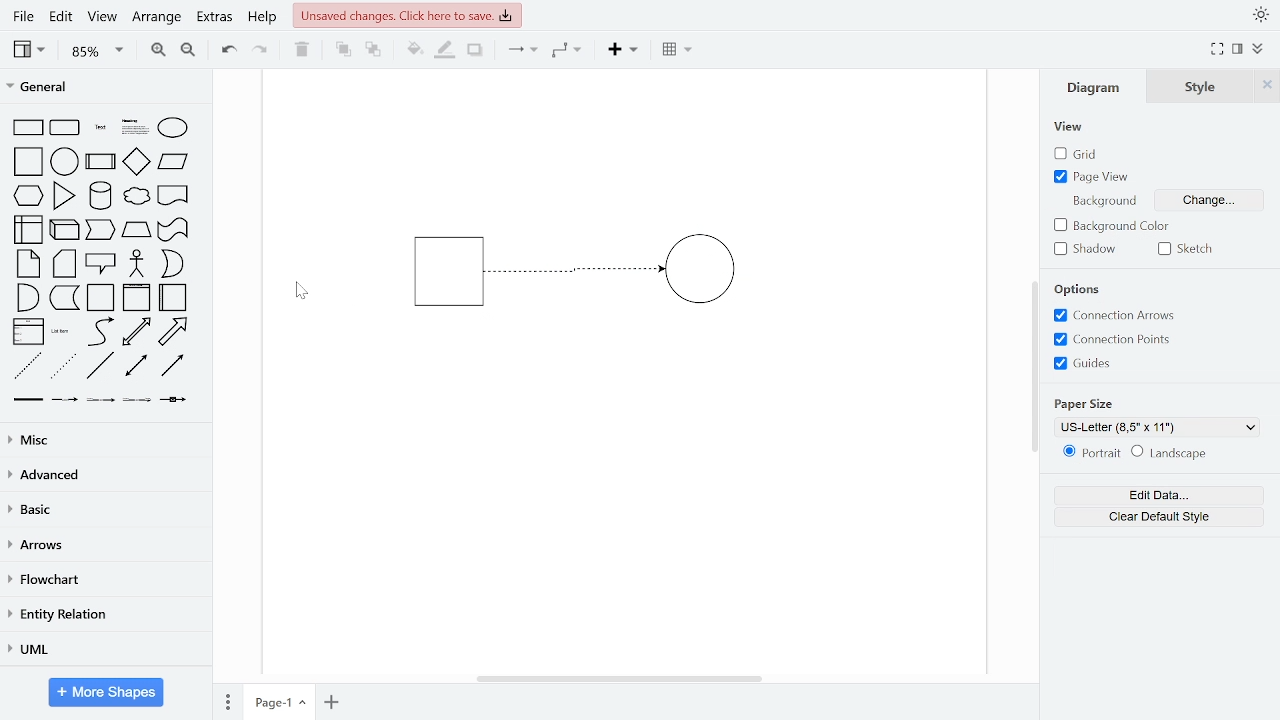 Image resolution: width=1280 pixels, height=720 pixels. What do you see at coordinates (1103, 173) in the screenshot?
I see `page view` at bounding box center [1103, 173].